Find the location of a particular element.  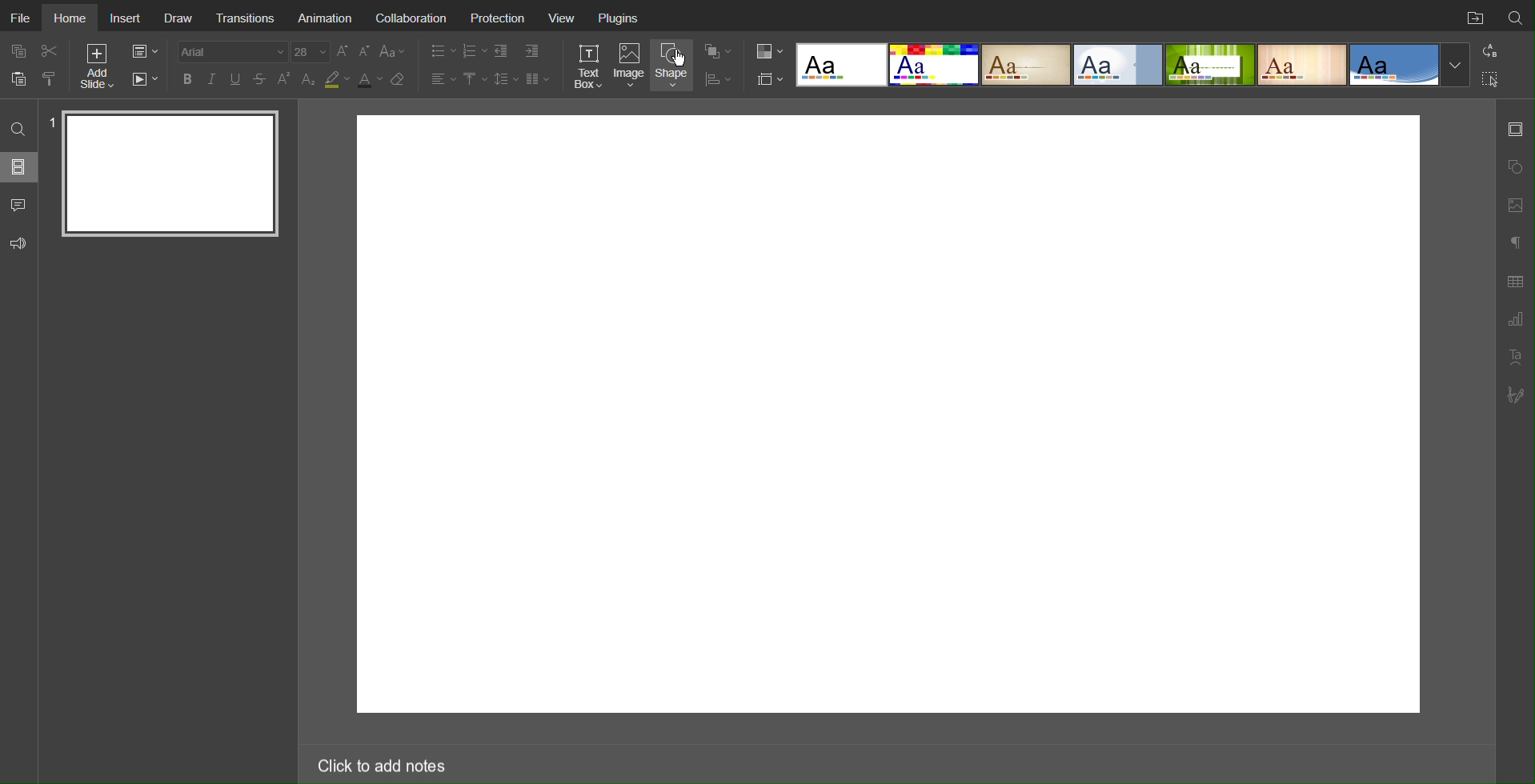

cursor is located at coordinates (680, 58).